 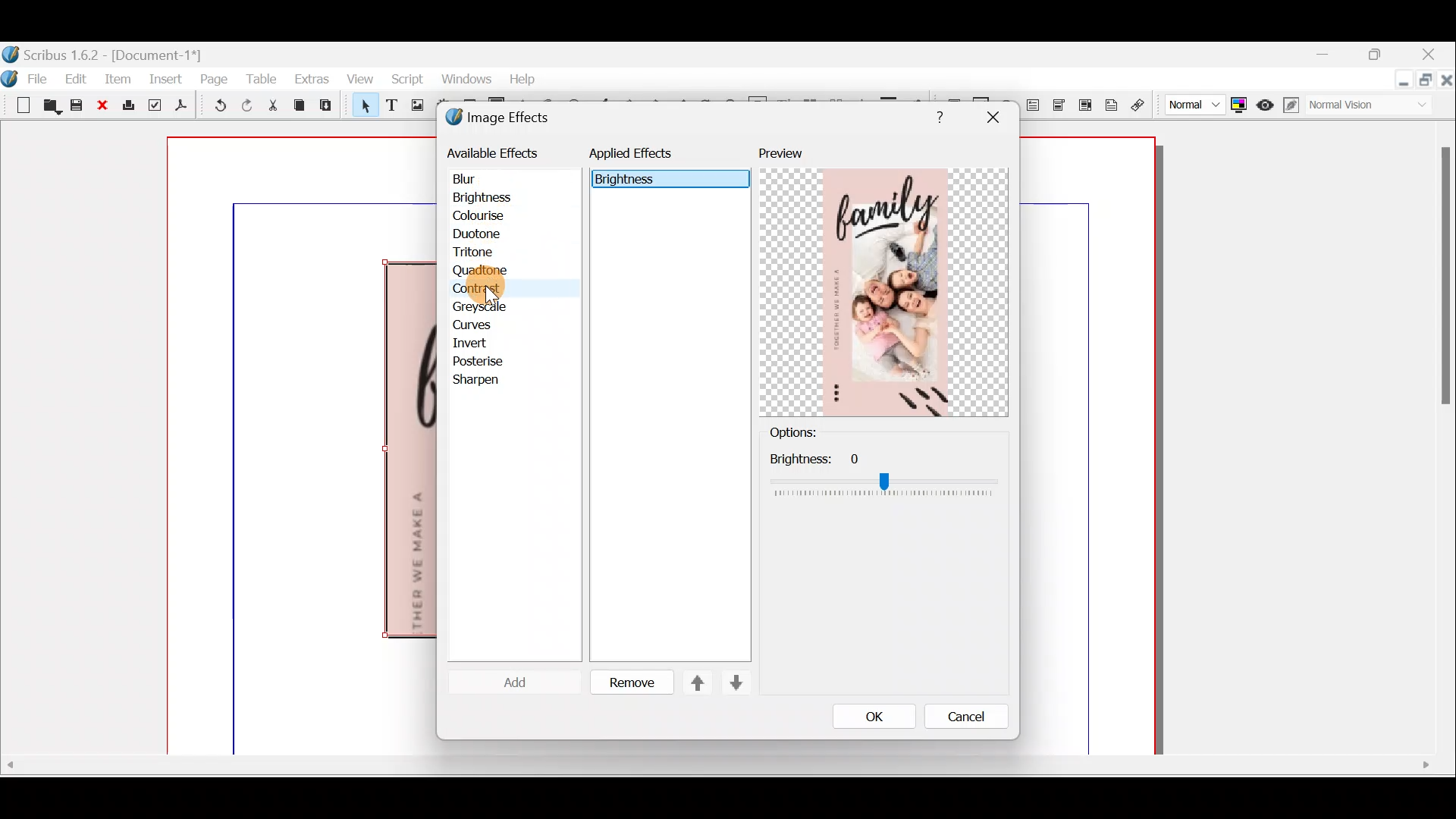 I want to click on Close, so click(x=106, y=106).